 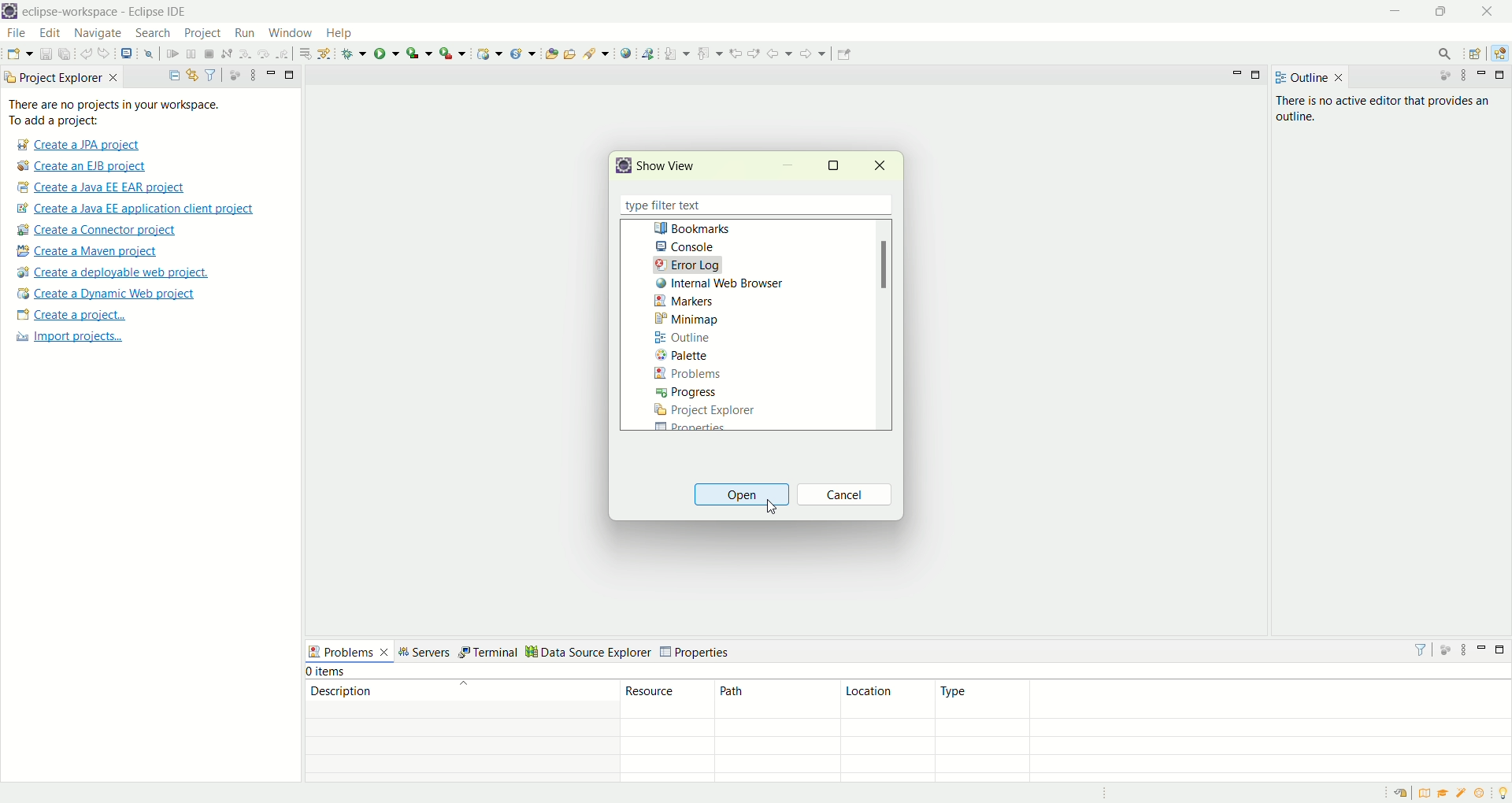 What do you see at coordinates (780, 53) in the screenshot?
I see `back` at bounding box center [780, 53].